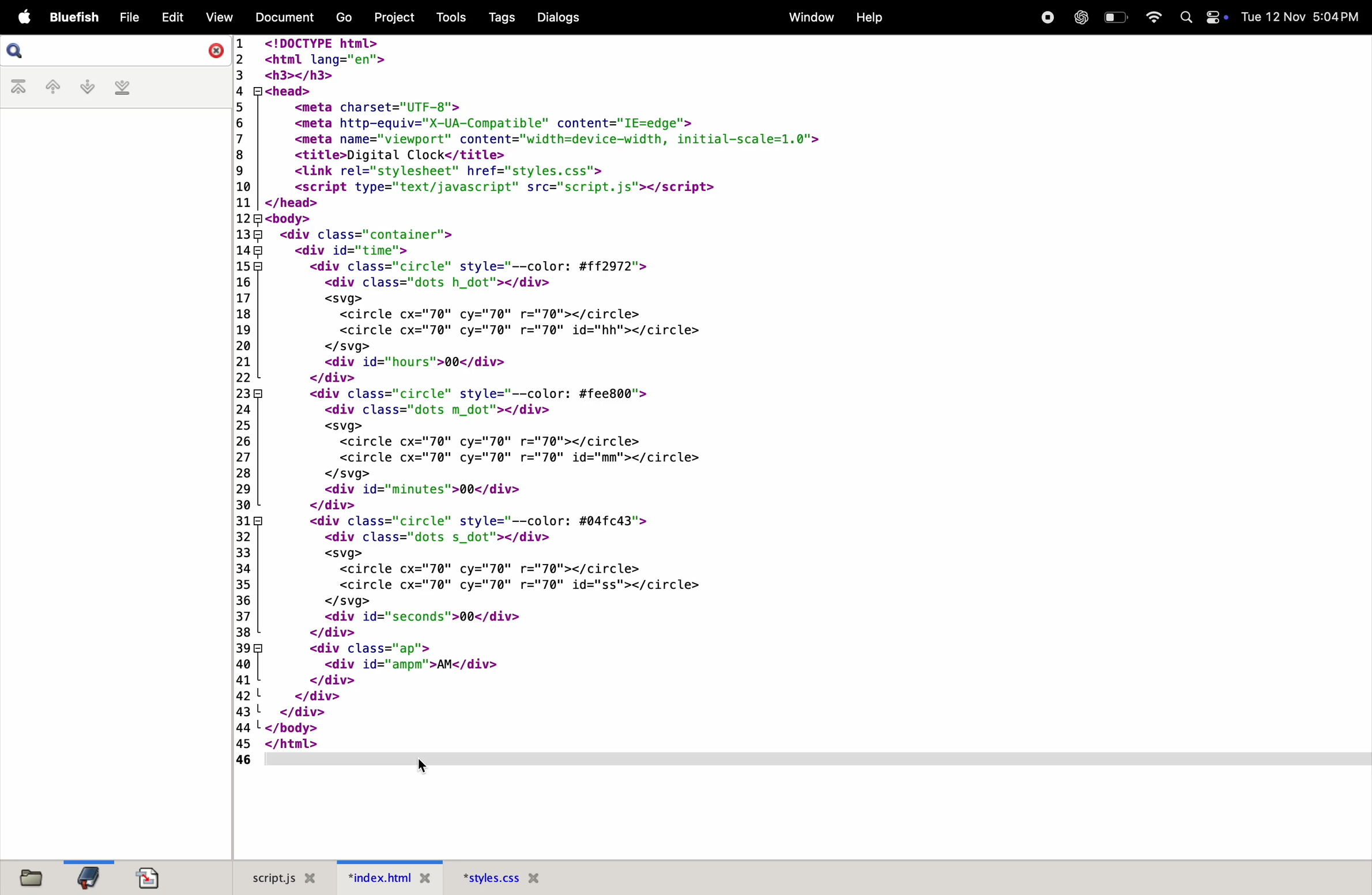 This screenshot has width=1372, height=895. Describe the element at coordinates (24, 18) in the screenshot. I see `apple menu` at that location.